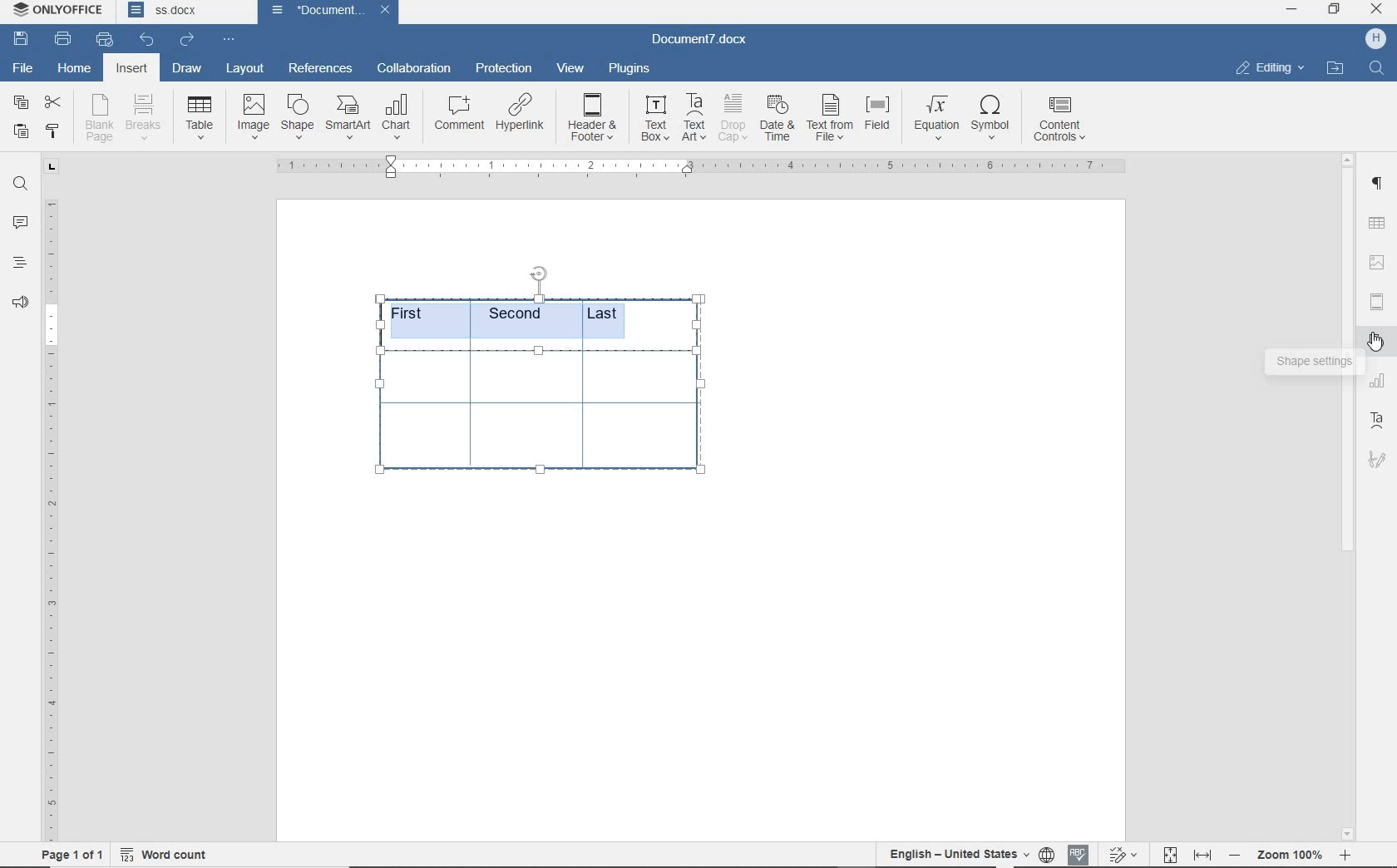  Describe the element at coordinates (201, 119) in the screenshot. I see `Table` at that location.